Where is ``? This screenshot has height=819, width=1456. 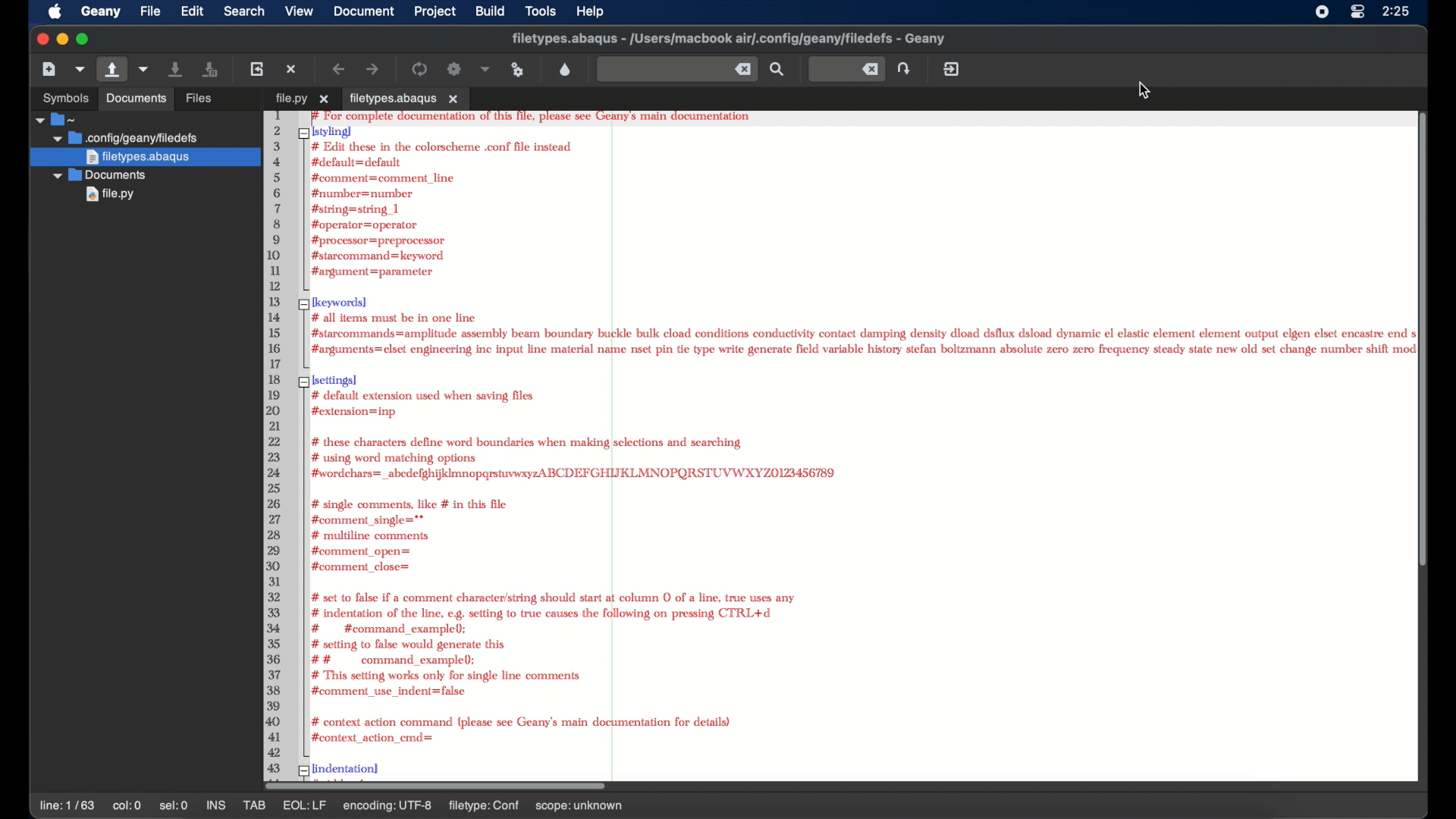  is located at coordinates (64, 99).